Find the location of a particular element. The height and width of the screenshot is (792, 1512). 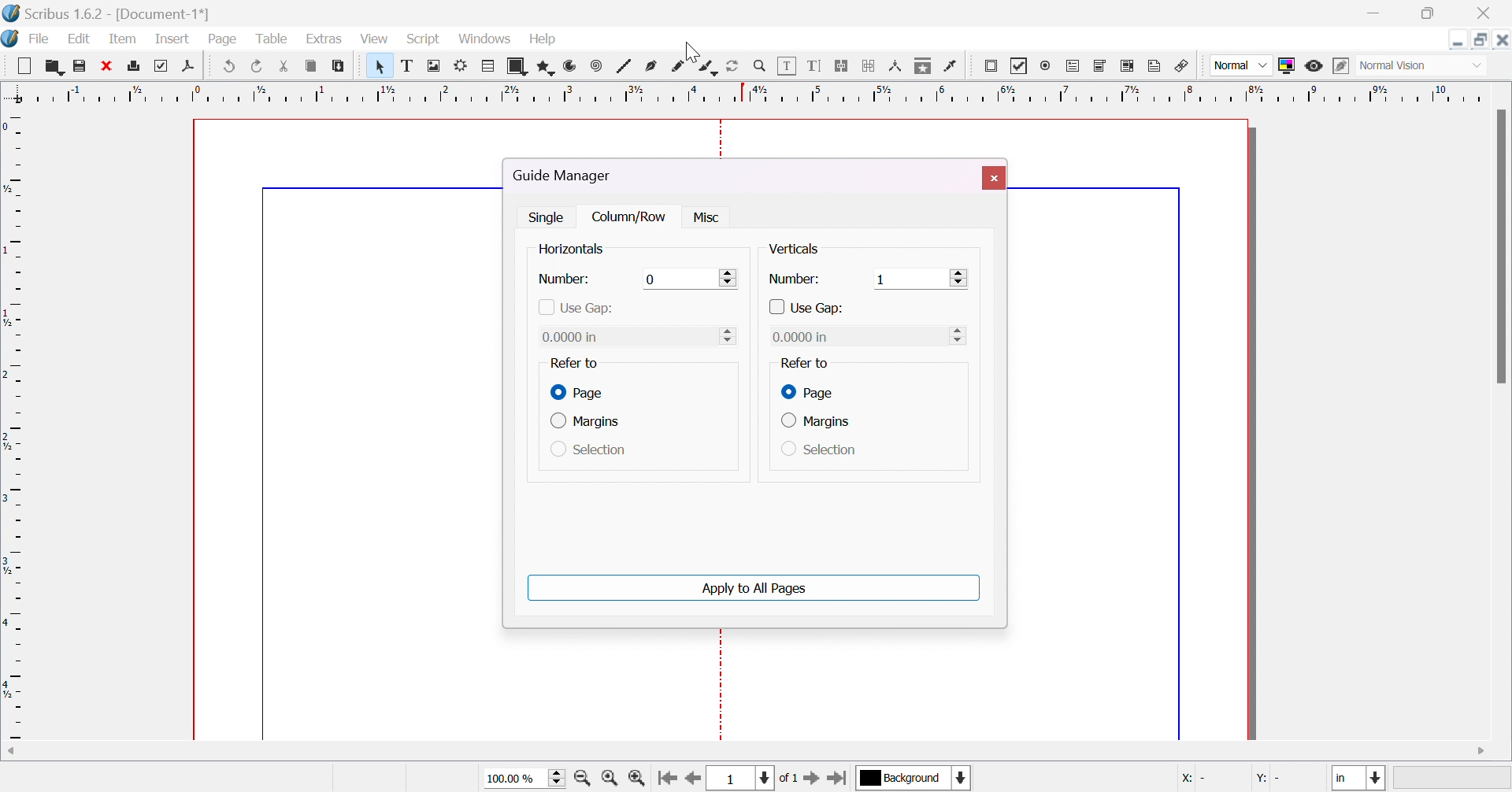

text frame is located at coordinates (407, 67).